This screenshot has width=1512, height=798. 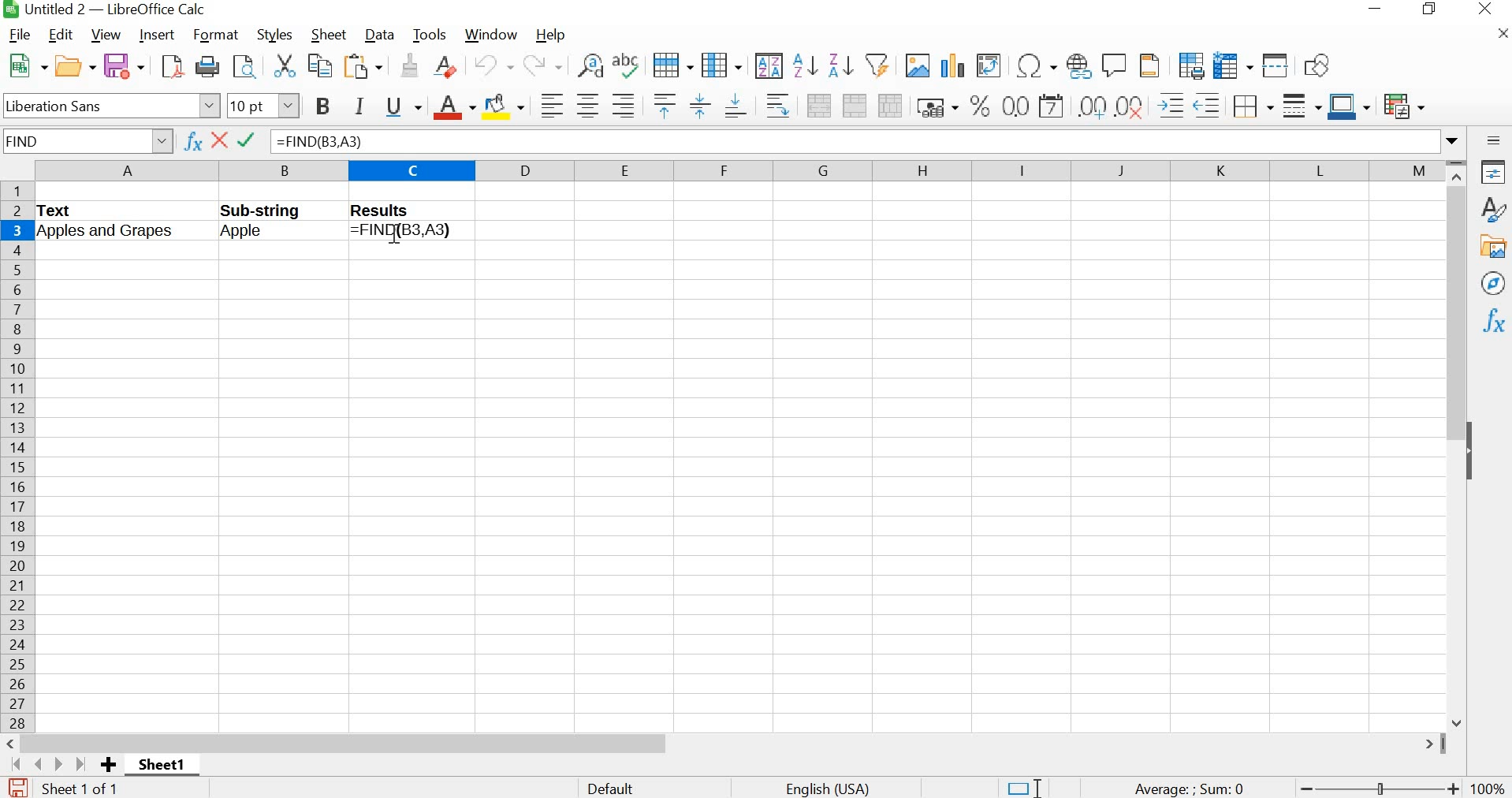 I want to click on format as percent, so click(x=978, y=106).